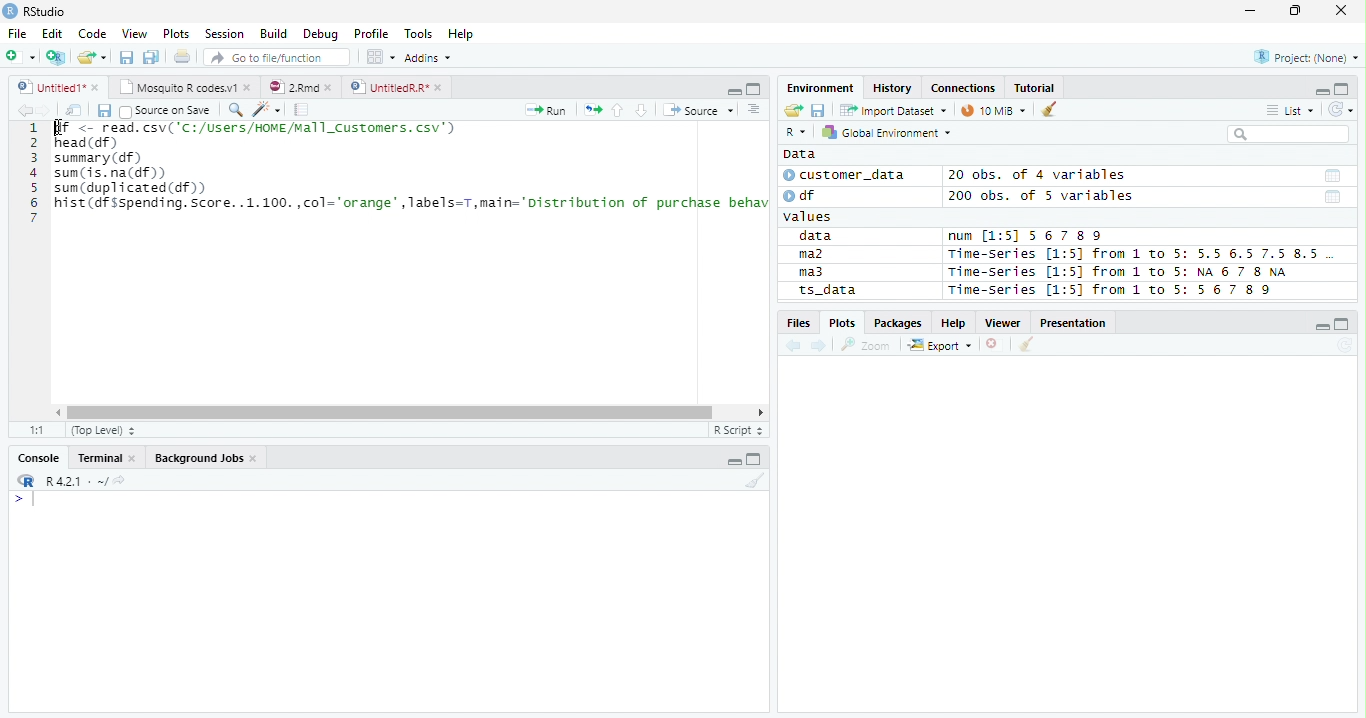 The image size is (1366, 718). I want to click on Connections, so click(963, 88).